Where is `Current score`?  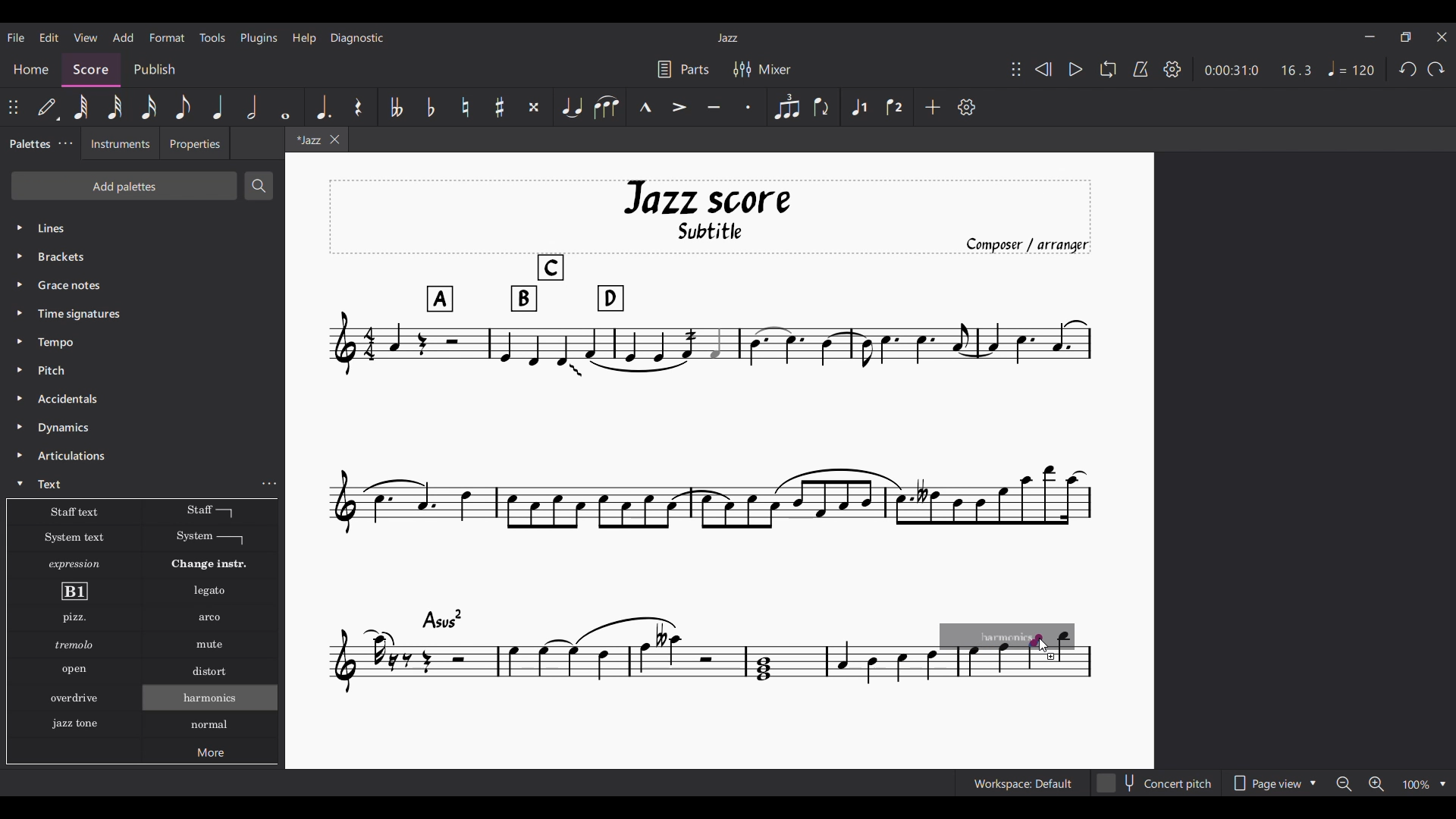
Current score is located at coordinates (725, 373).